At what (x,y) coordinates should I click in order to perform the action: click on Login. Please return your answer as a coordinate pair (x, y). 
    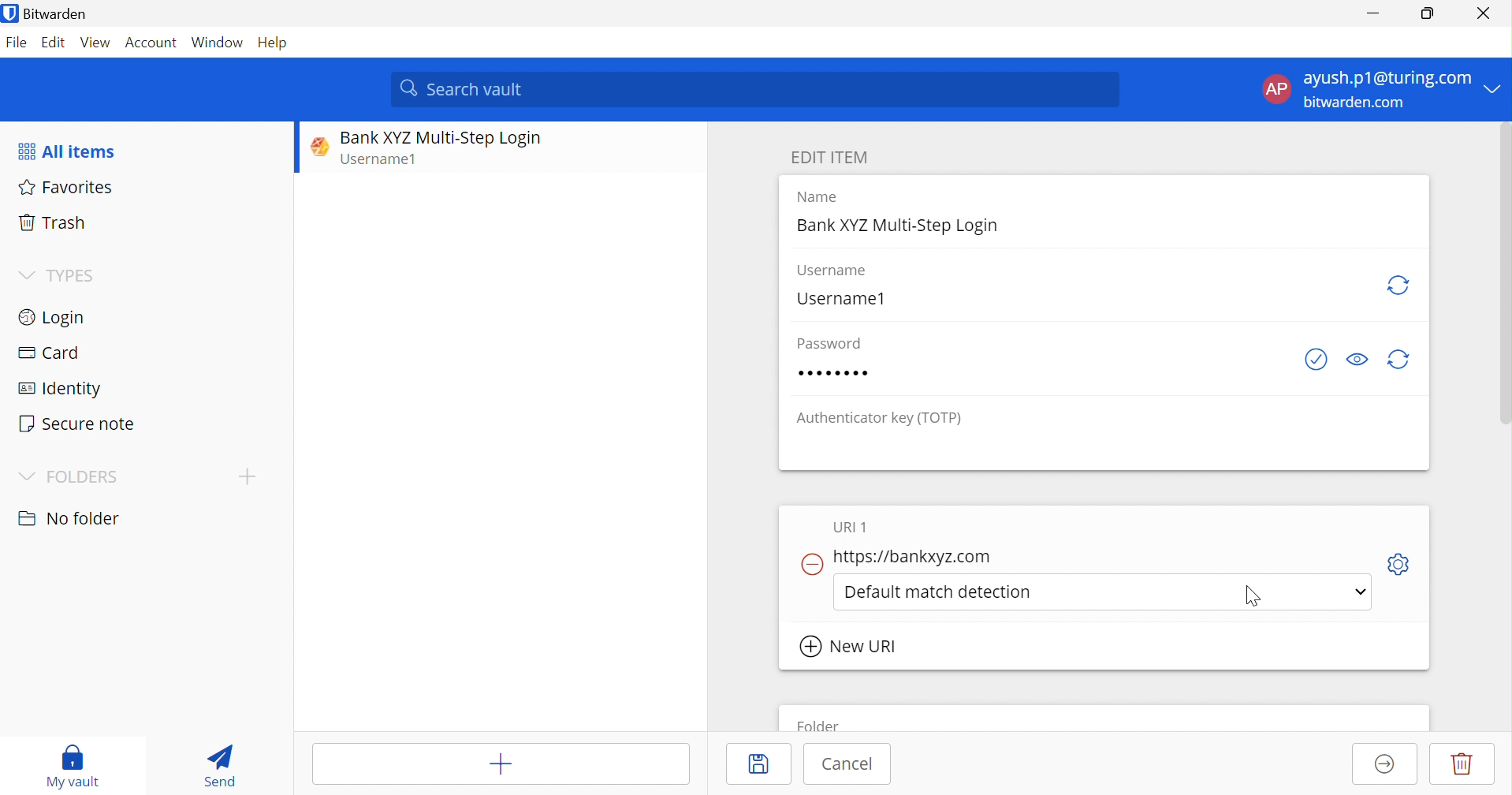
    Looking at the image, I should click on (50, 317).